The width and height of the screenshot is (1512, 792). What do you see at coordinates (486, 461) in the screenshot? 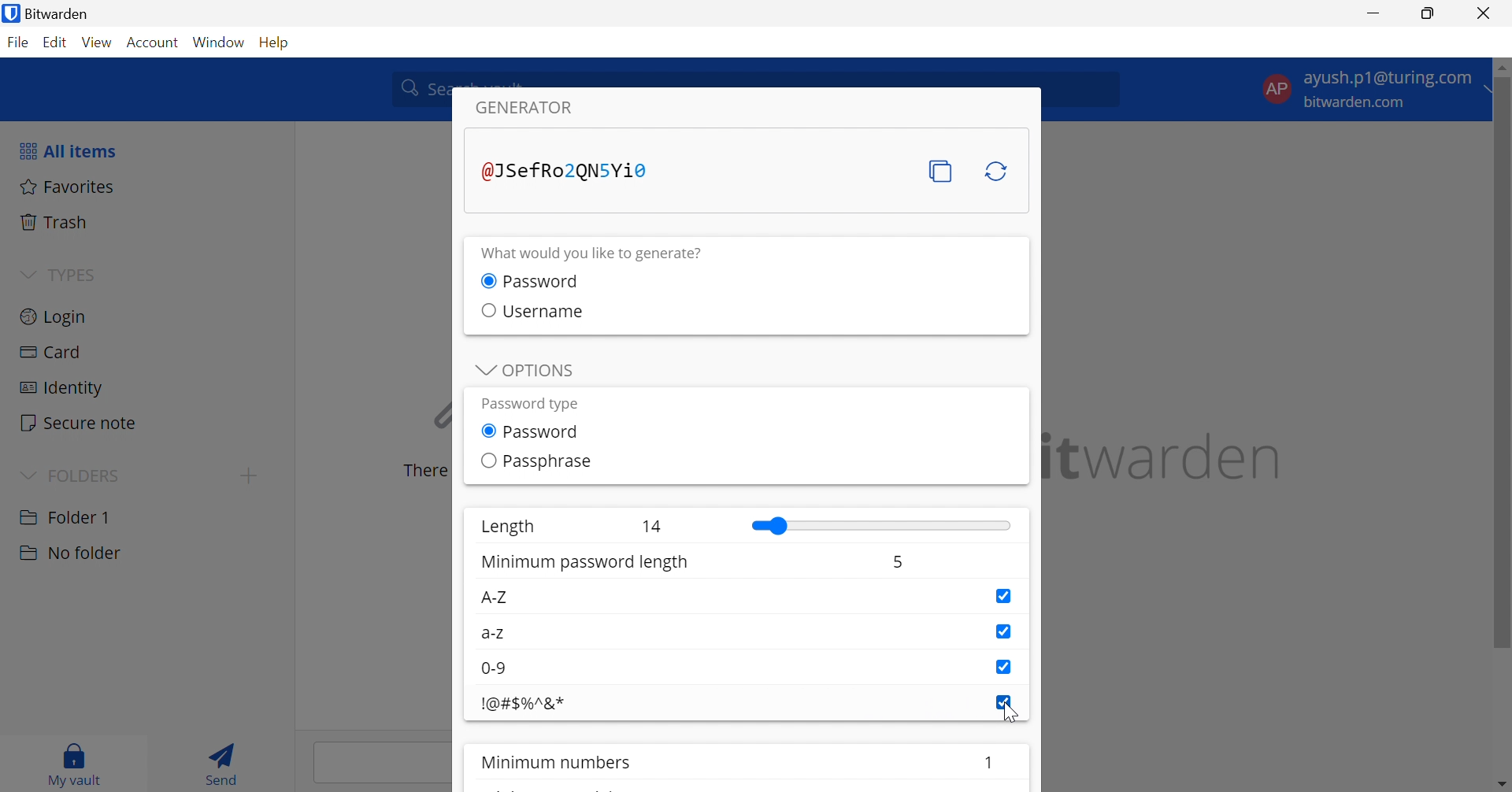
I see `Checkbox` at bounding box center [486, 461].